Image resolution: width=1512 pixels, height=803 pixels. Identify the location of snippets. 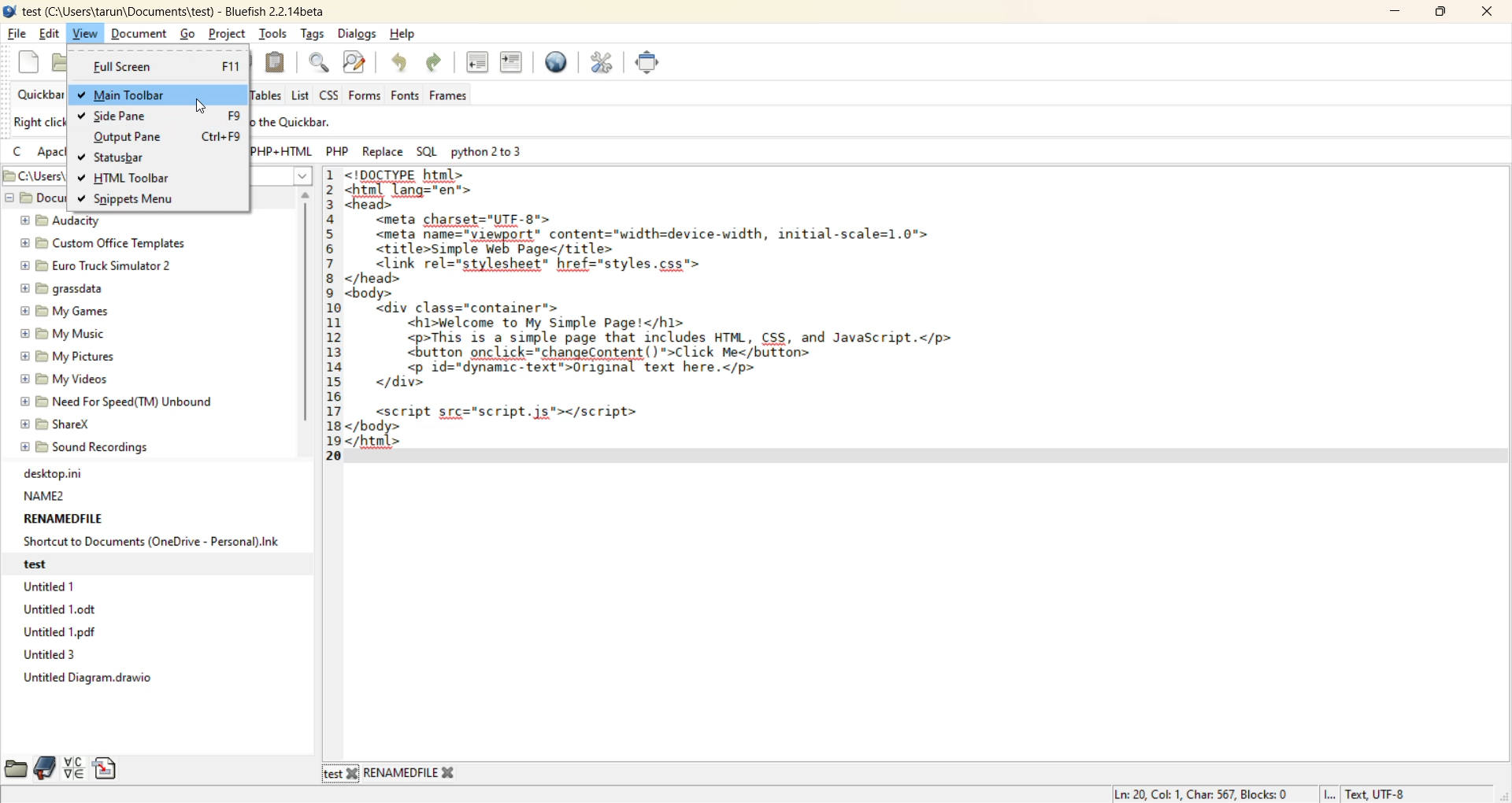
(108, 768).